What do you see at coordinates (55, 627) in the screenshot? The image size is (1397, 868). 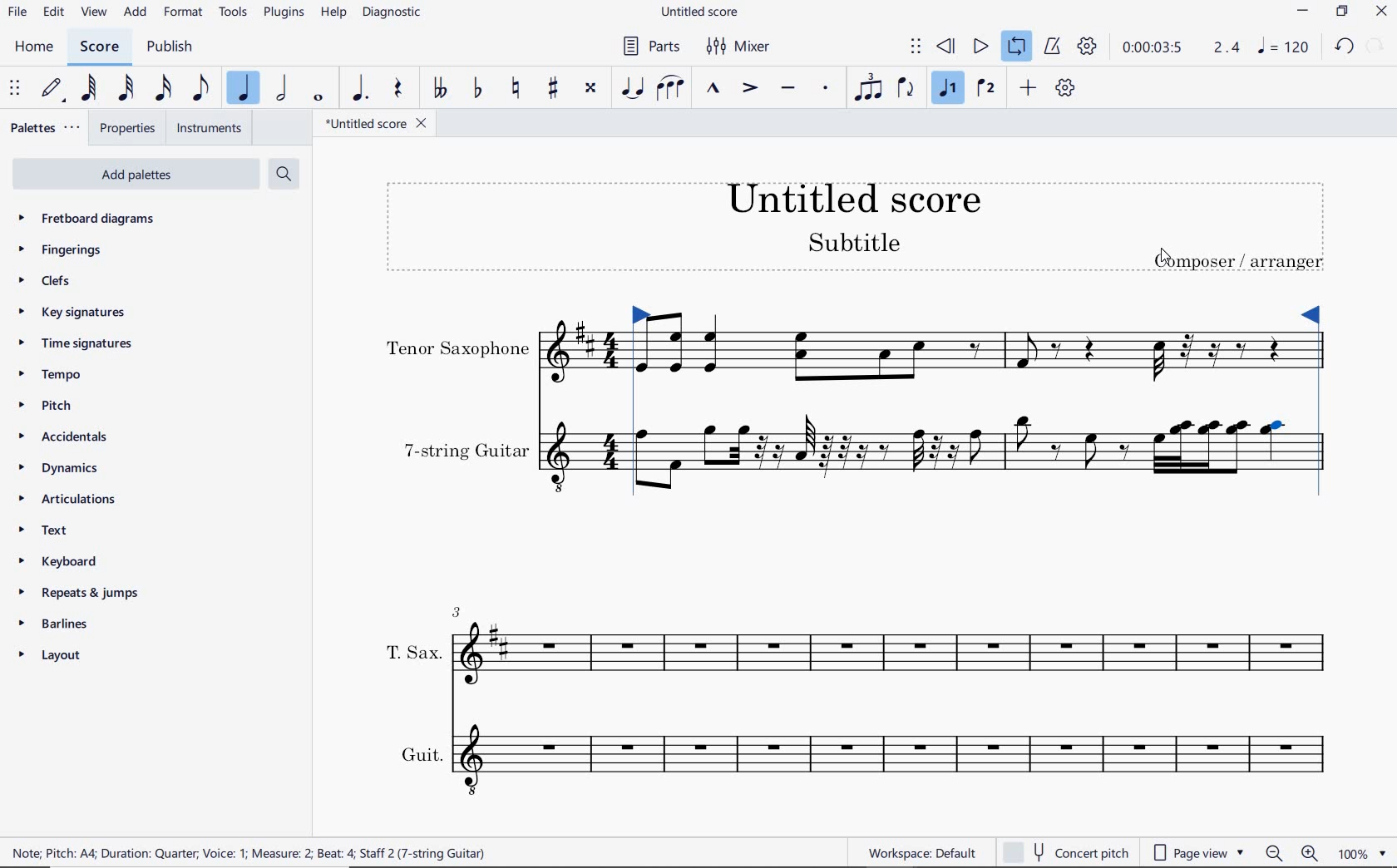 I see `BARLINES` at bounding box center [55, 627].